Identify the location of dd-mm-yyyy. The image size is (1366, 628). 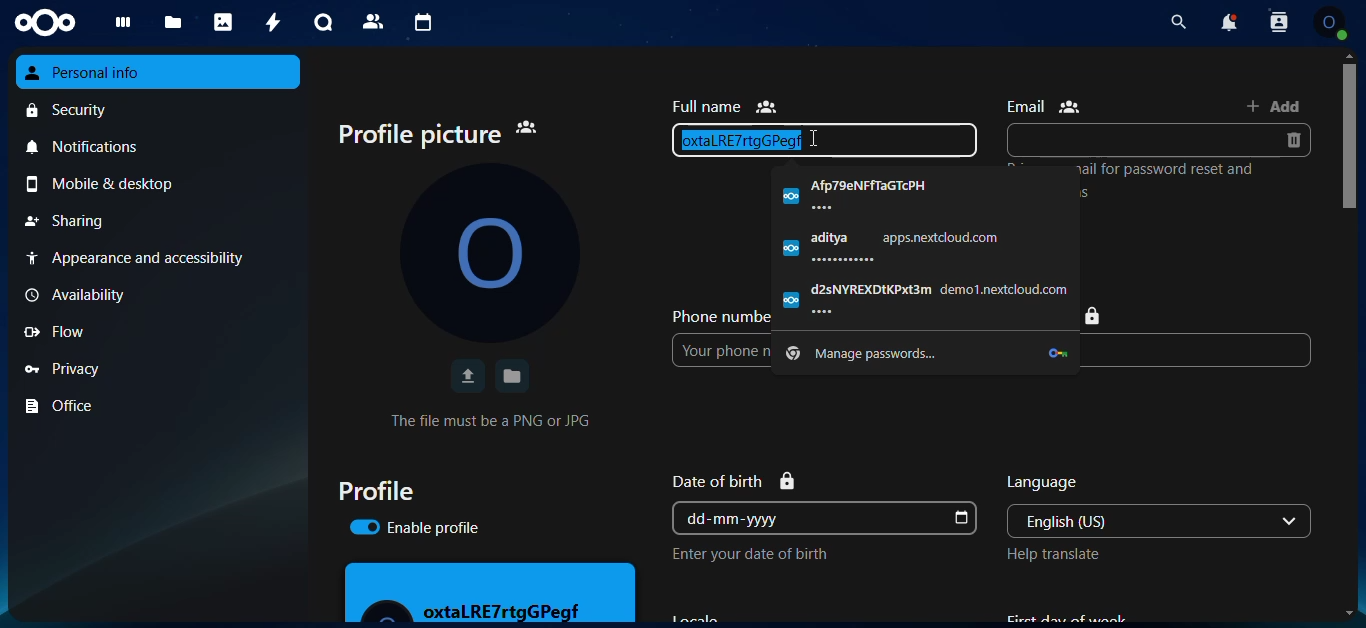
(809, 518).